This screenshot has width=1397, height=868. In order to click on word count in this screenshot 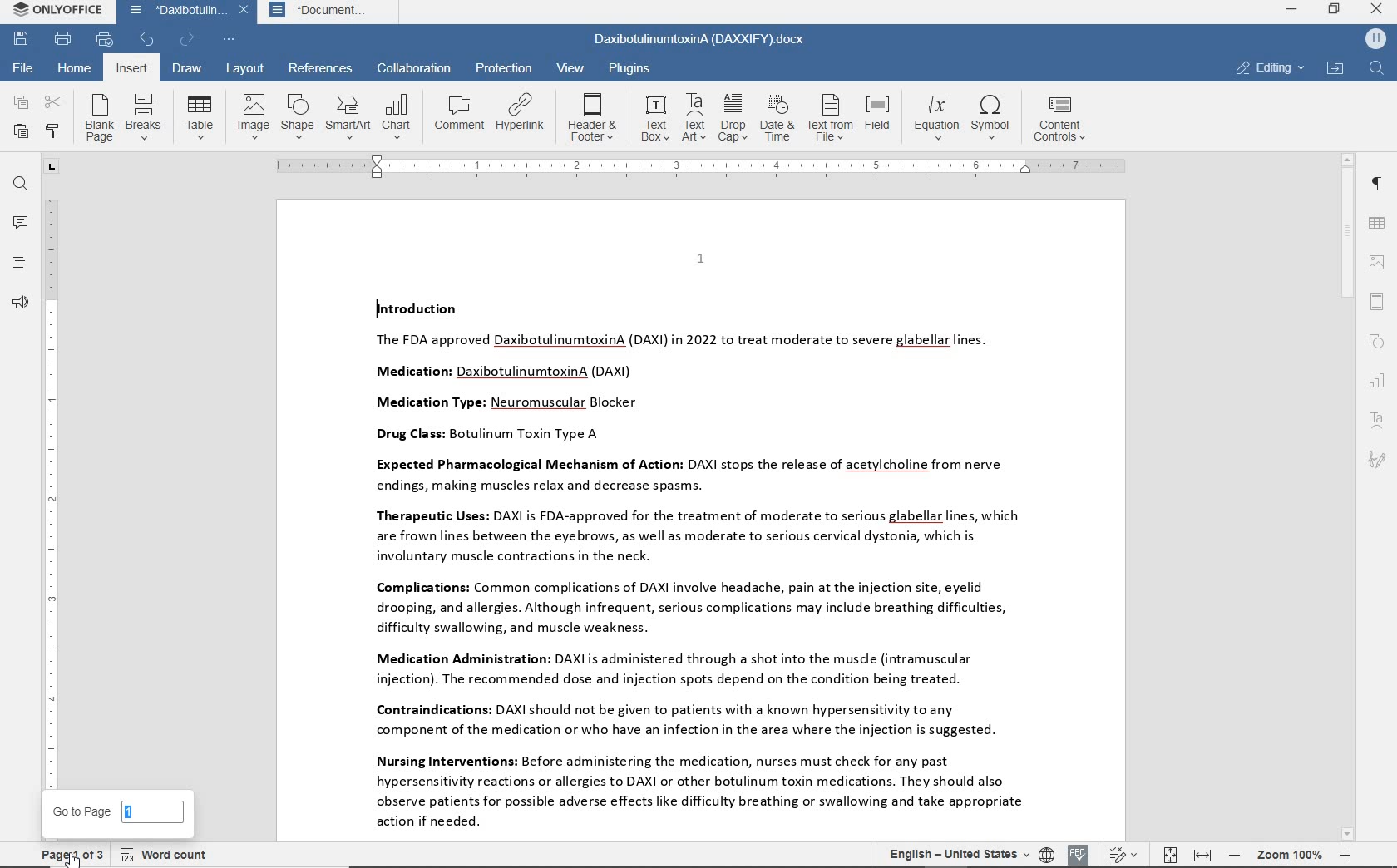, I will do `click(165, 854)`.